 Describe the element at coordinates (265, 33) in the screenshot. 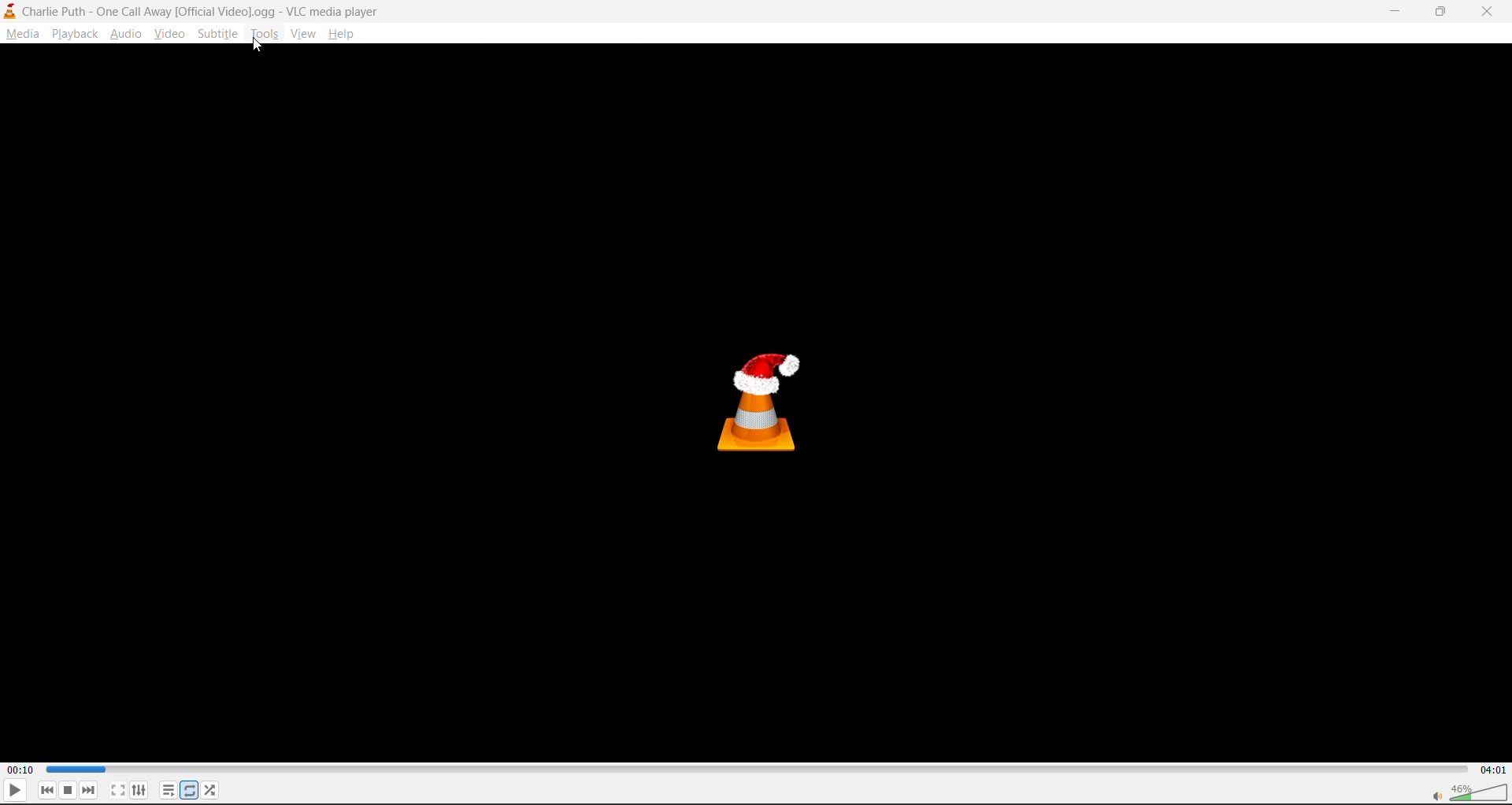

I see `tools` at that location.